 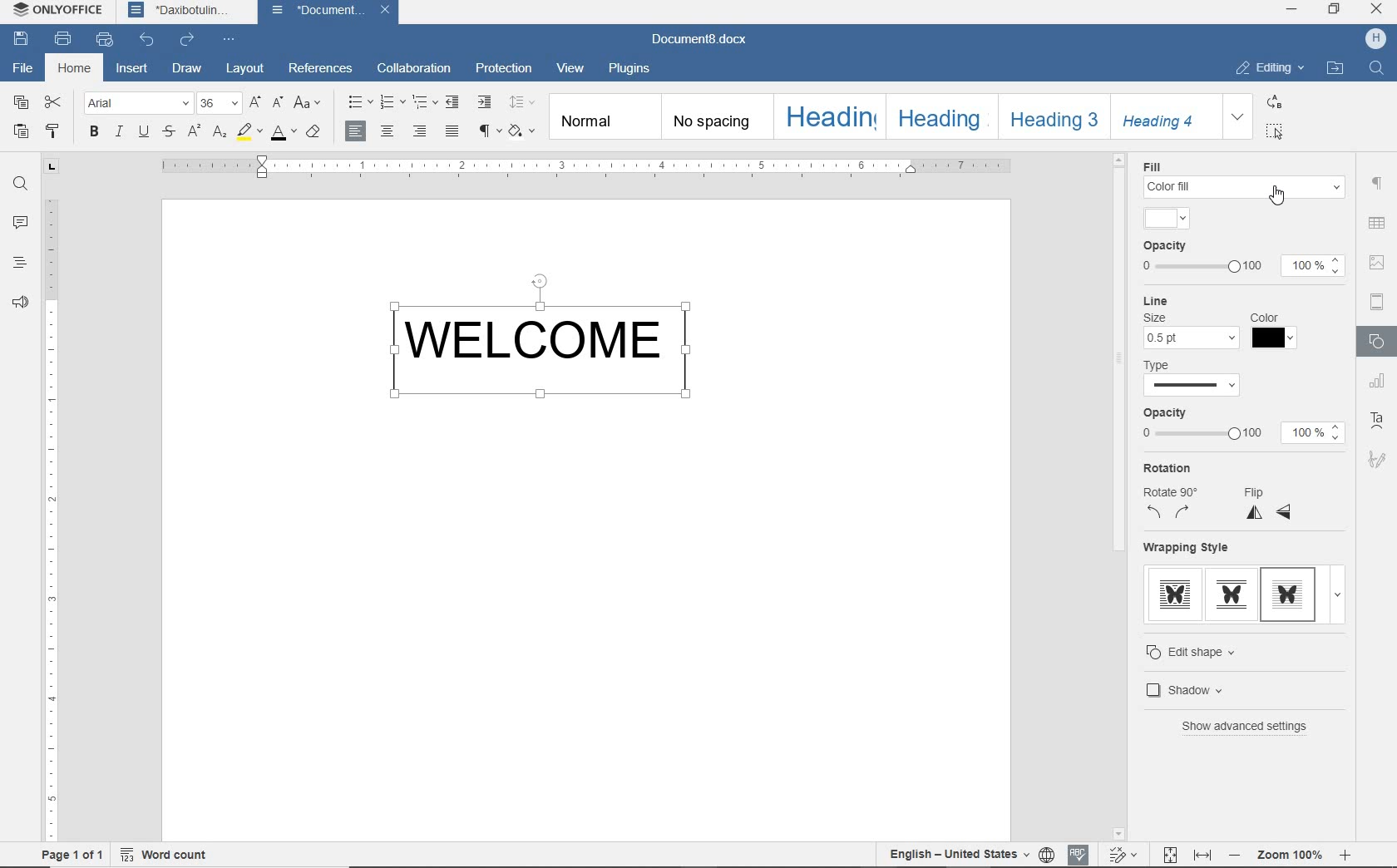 I want to click on Wrapping style, so click(x=1187, y=547).